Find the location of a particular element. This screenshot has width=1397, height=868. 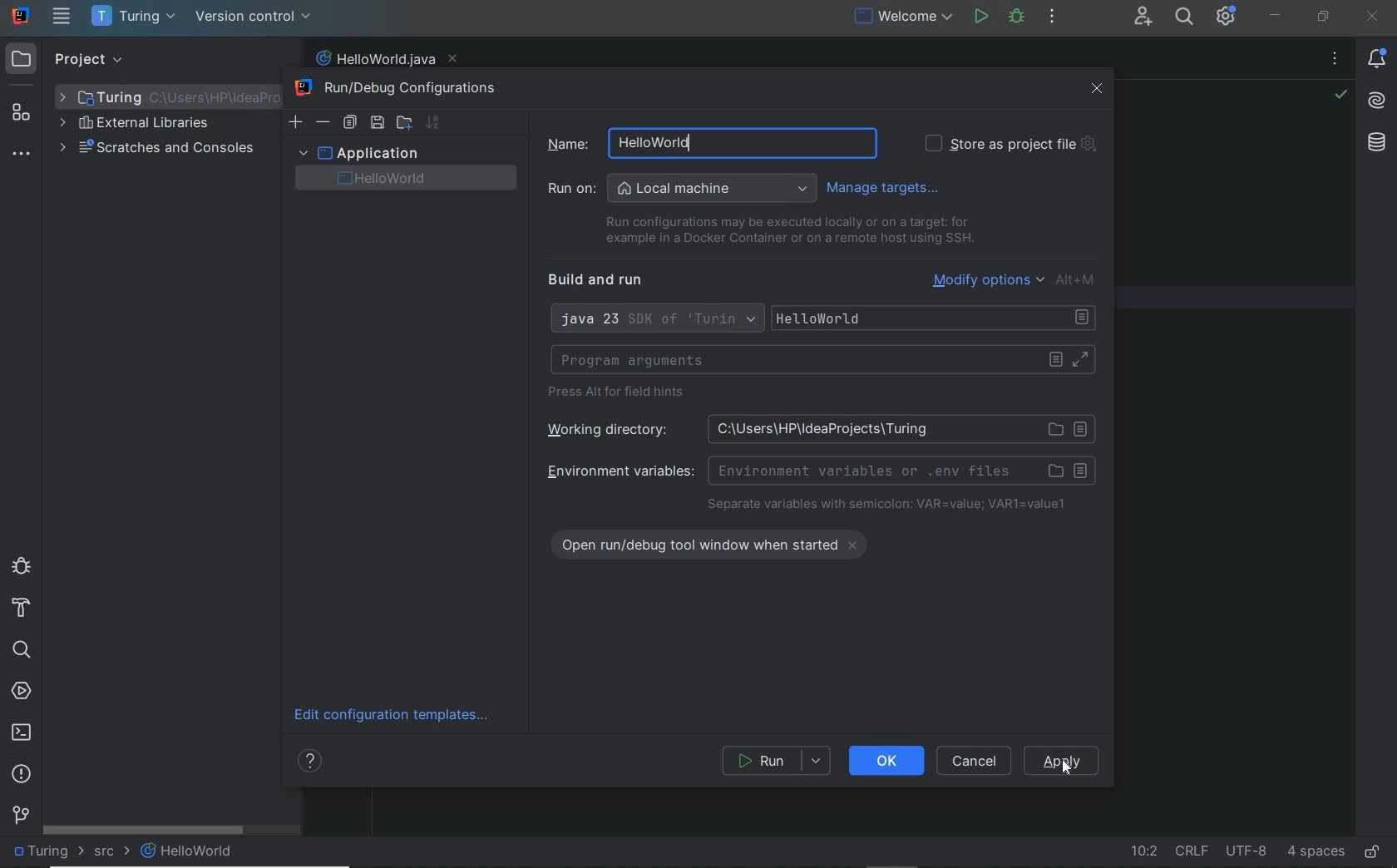

ADD NEW CONFIGURATION is located at coordinates (297, 121).